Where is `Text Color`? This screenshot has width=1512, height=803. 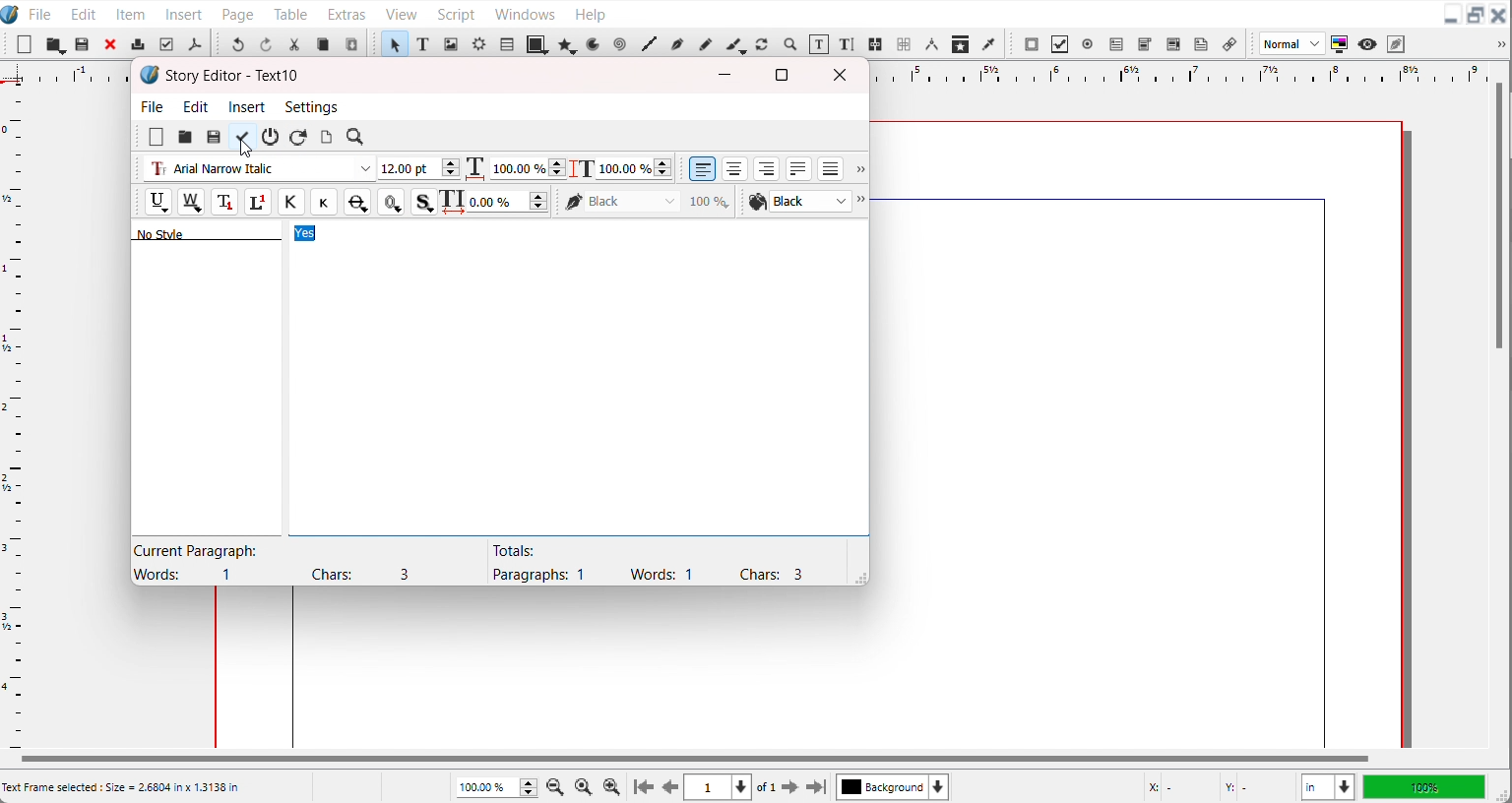
Text Color is located at coordinates (798, 202).